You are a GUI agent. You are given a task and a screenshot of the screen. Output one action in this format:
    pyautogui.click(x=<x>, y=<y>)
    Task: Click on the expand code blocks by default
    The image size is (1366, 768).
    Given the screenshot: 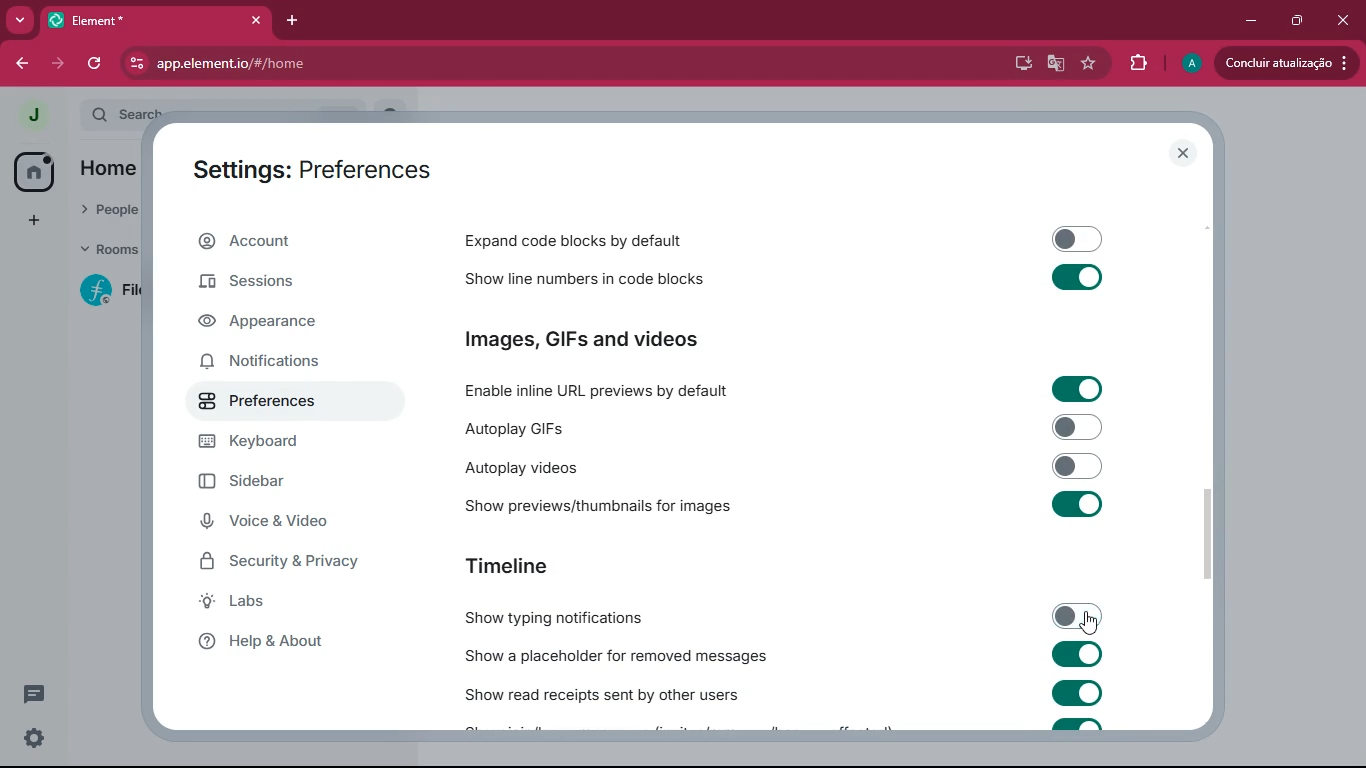 What is the action you would take?
    pyautogui.click(x=612, y=240)
    